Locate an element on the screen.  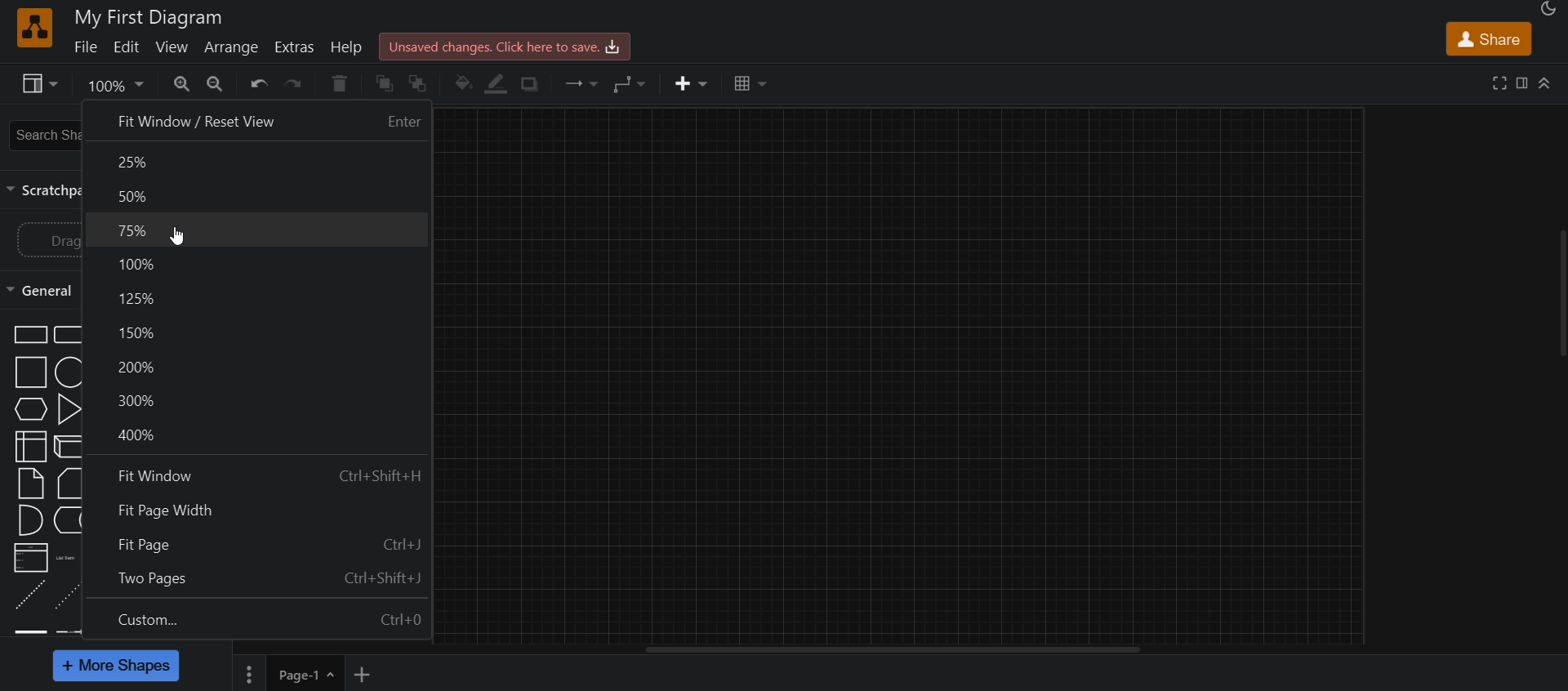
scroll is located at coordinates (1557, 294).